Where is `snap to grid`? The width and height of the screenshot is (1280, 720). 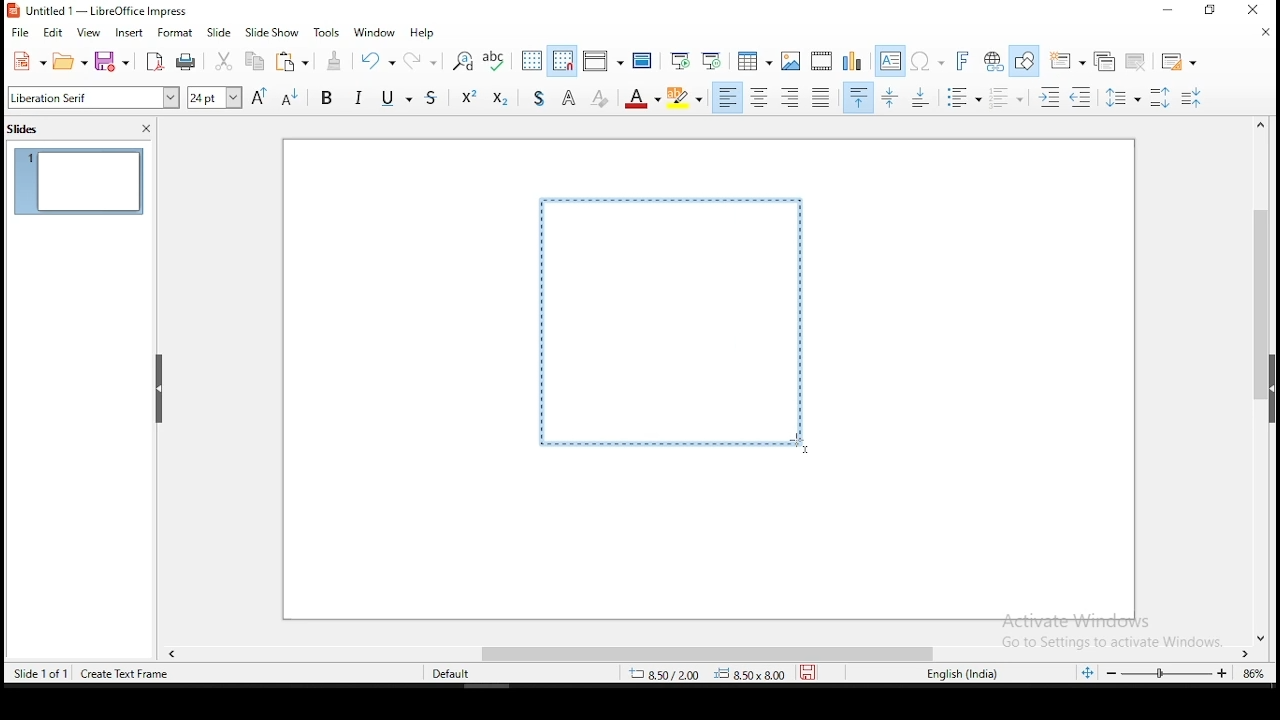
snap to grid is located at coordinates (562, 61).